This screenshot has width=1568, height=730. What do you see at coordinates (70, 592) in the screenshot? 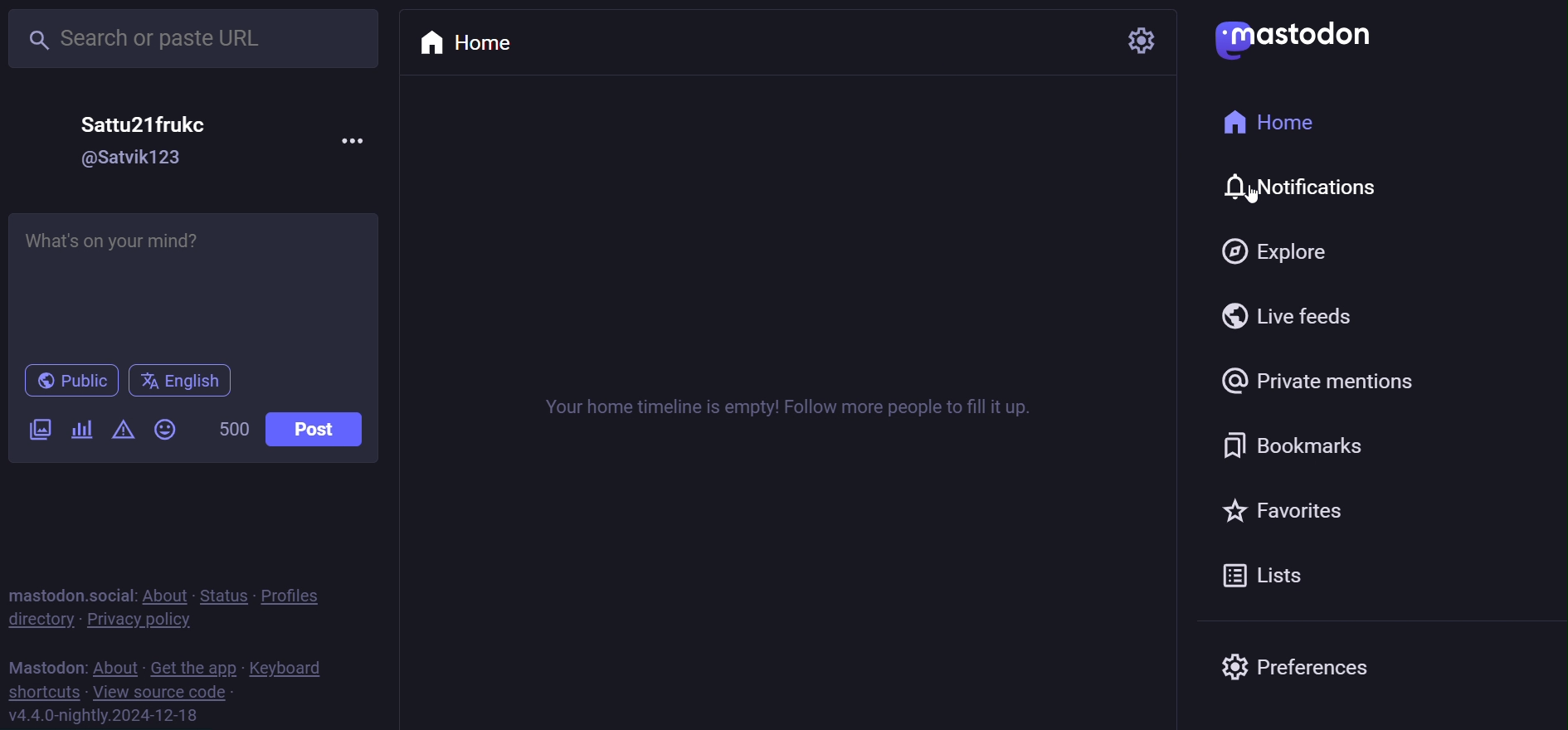
I see `mastodon social` at bounding box center [70, 592].